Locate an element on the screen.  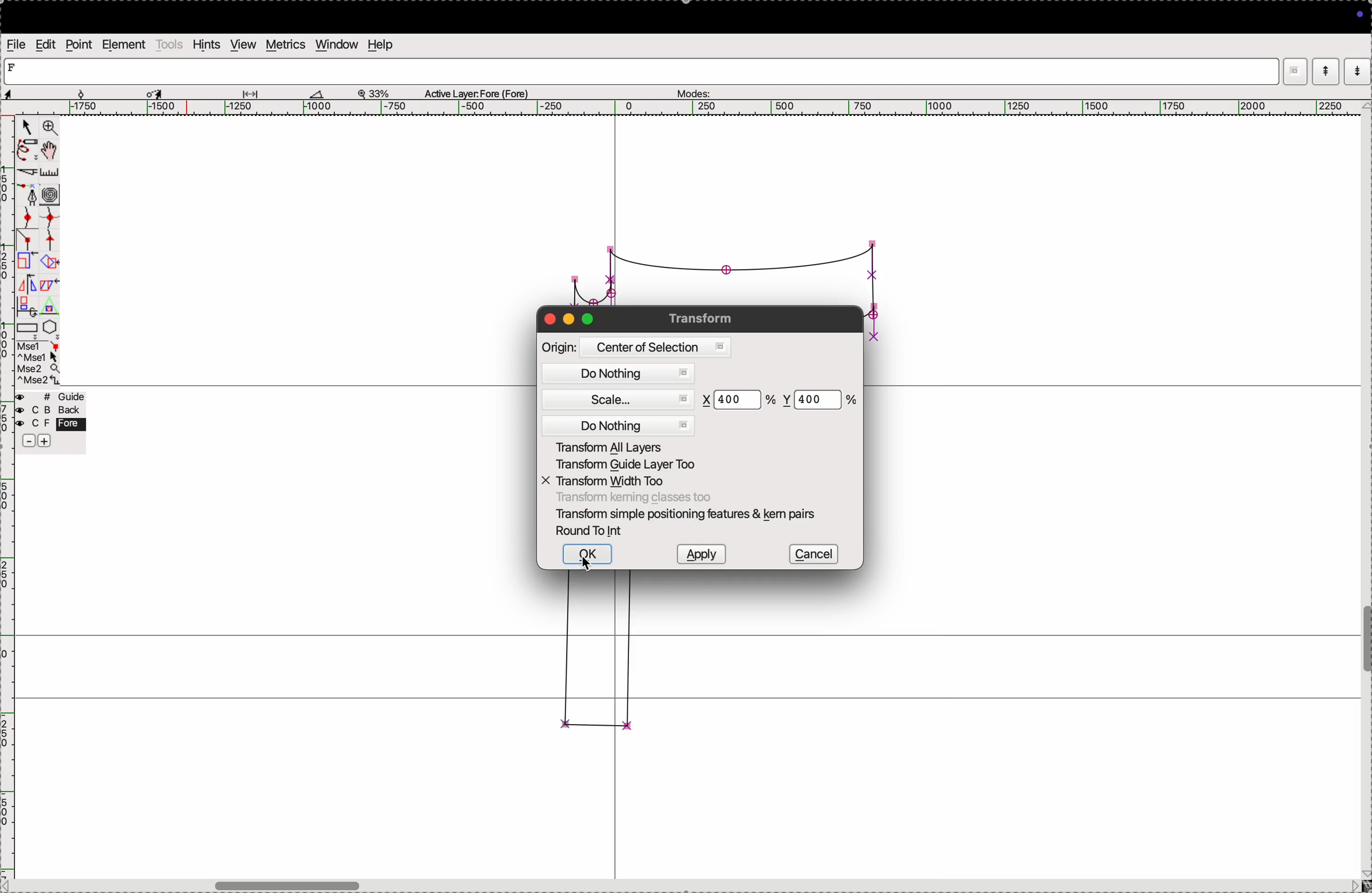
maximize is located at coordinates (587, 318).